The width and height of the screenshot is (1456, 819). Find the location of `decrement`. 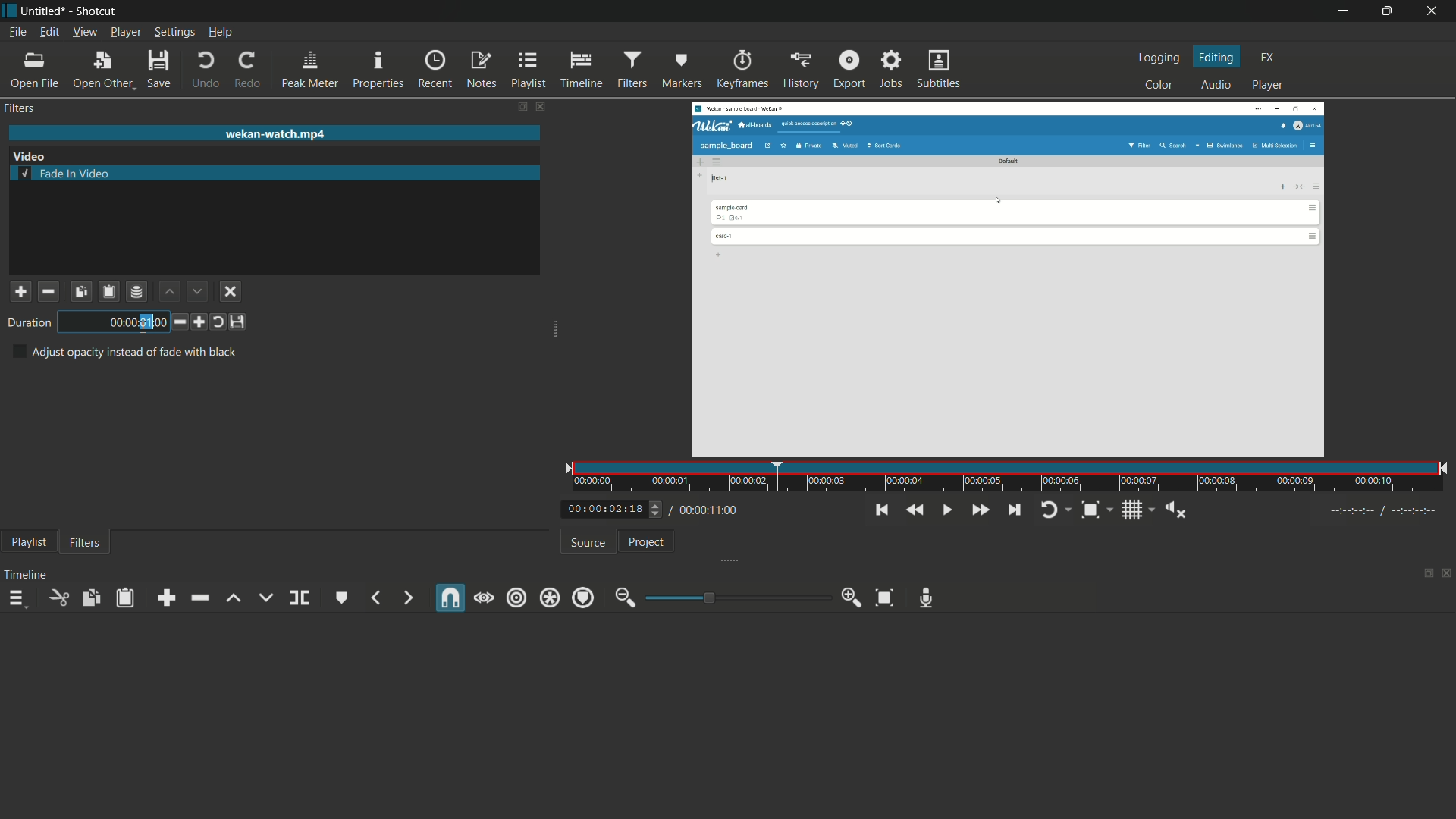

decrement is located at coordinates (177, 322).